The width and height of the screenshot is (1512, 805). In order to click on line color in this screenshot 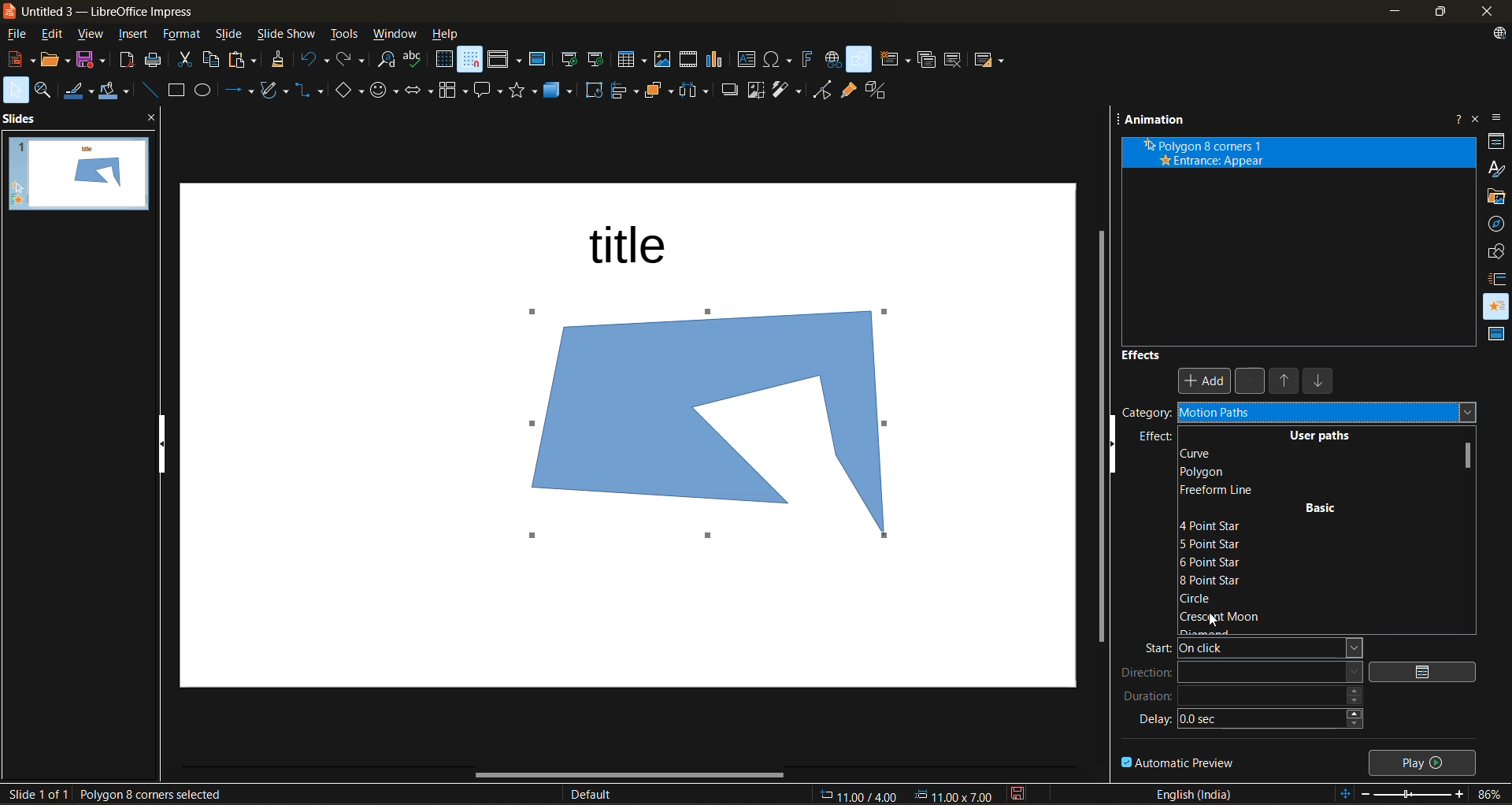, I will do `click(80, 91)`.